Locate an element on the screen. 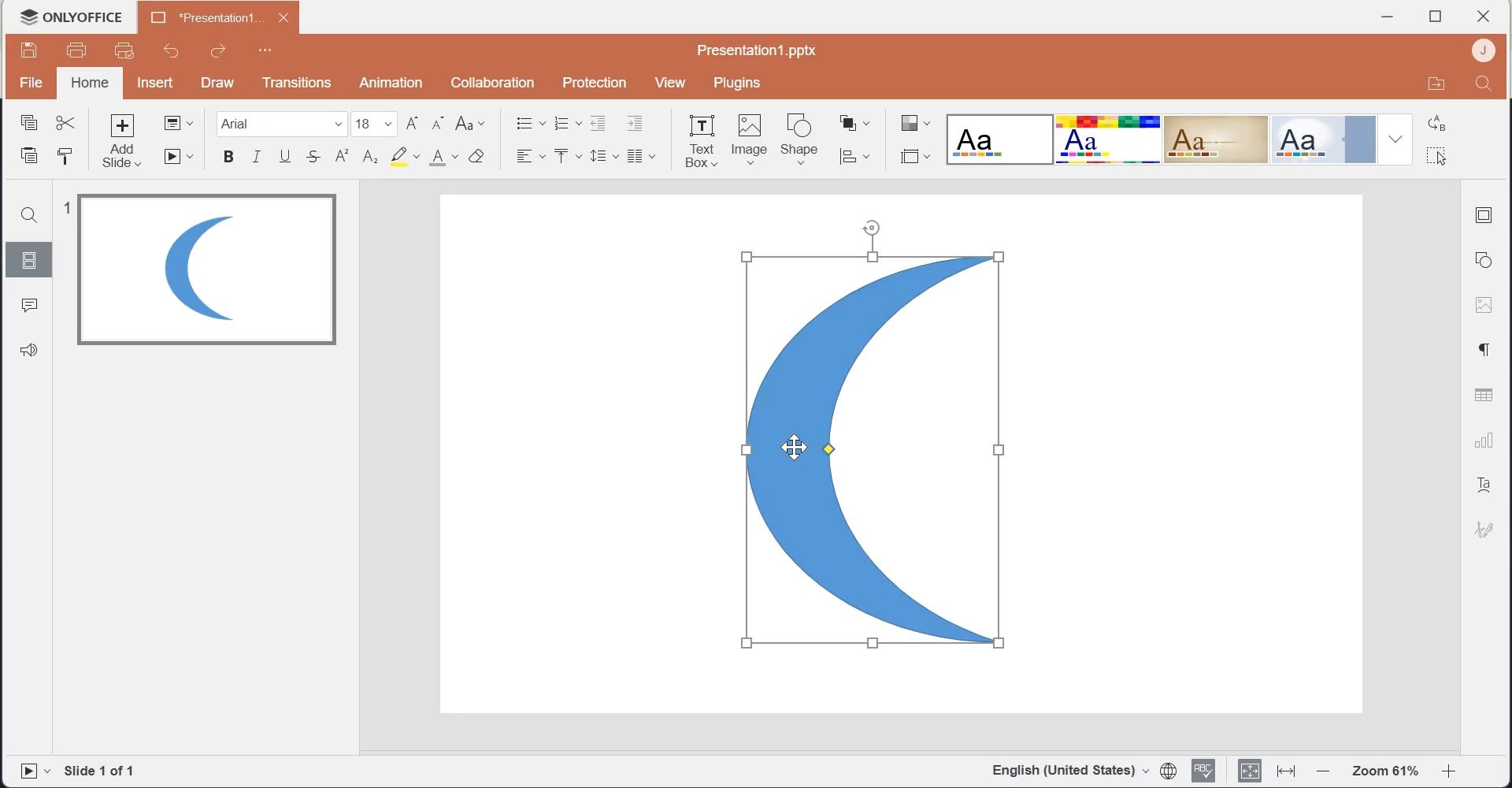  font size is located at coordinates (376, 125).